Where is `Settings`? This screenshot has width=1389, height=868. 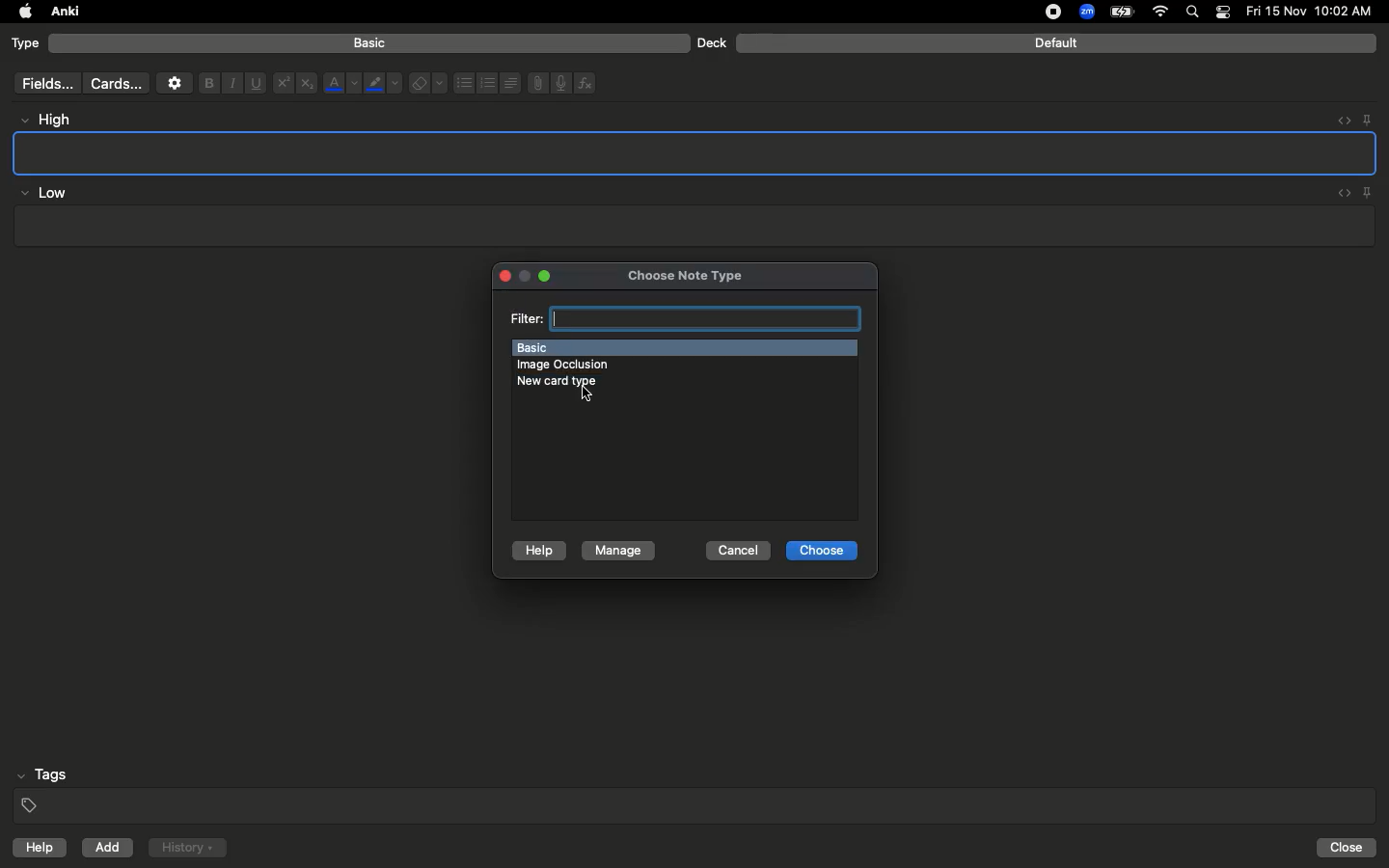
Settings is located at coordinates (175, 83).